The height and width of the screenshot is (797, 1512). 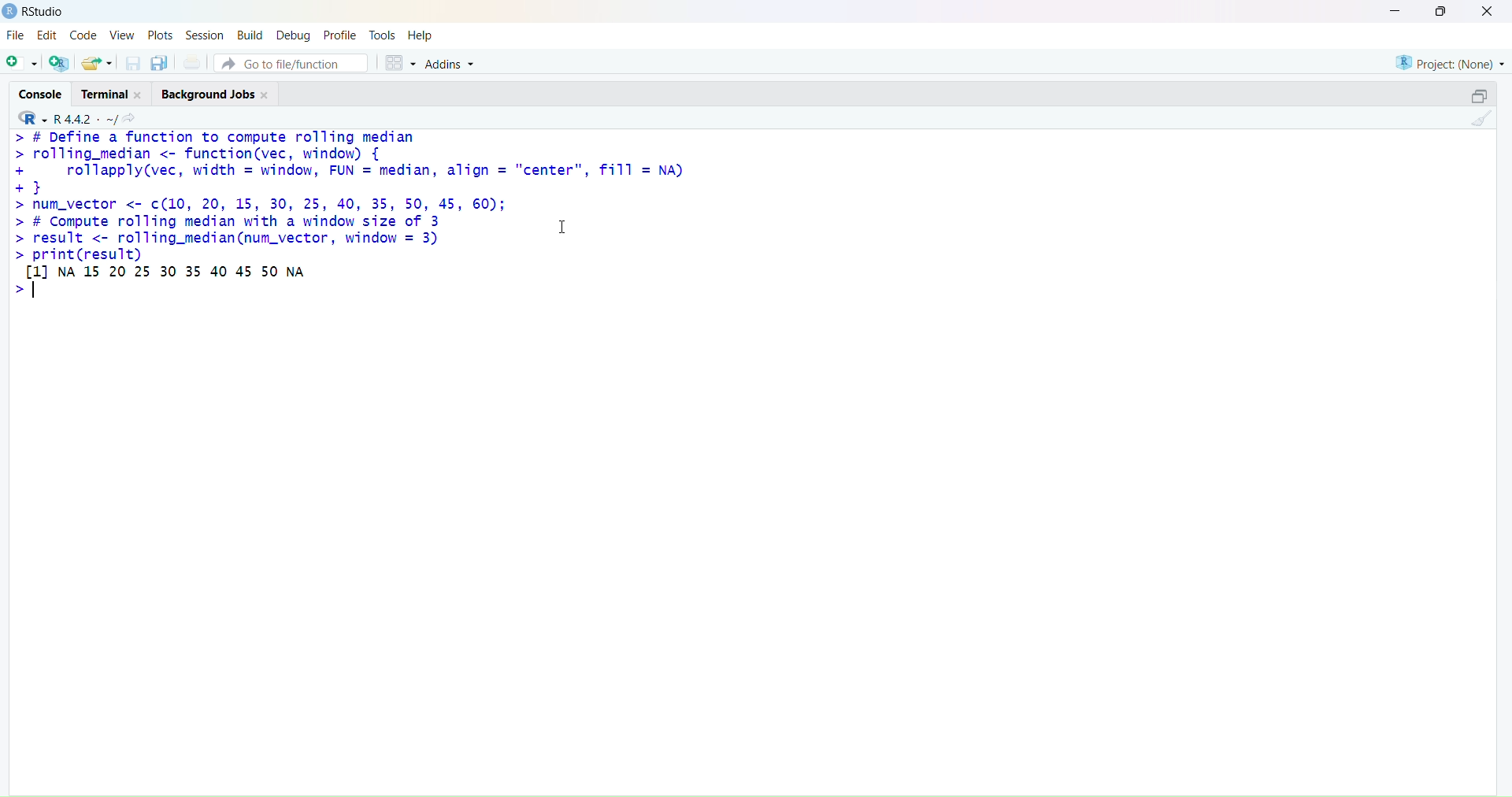 What do you see at coordinates (449, 65) in the screenshot?
I see `addins` at bounding box center [449, 65].